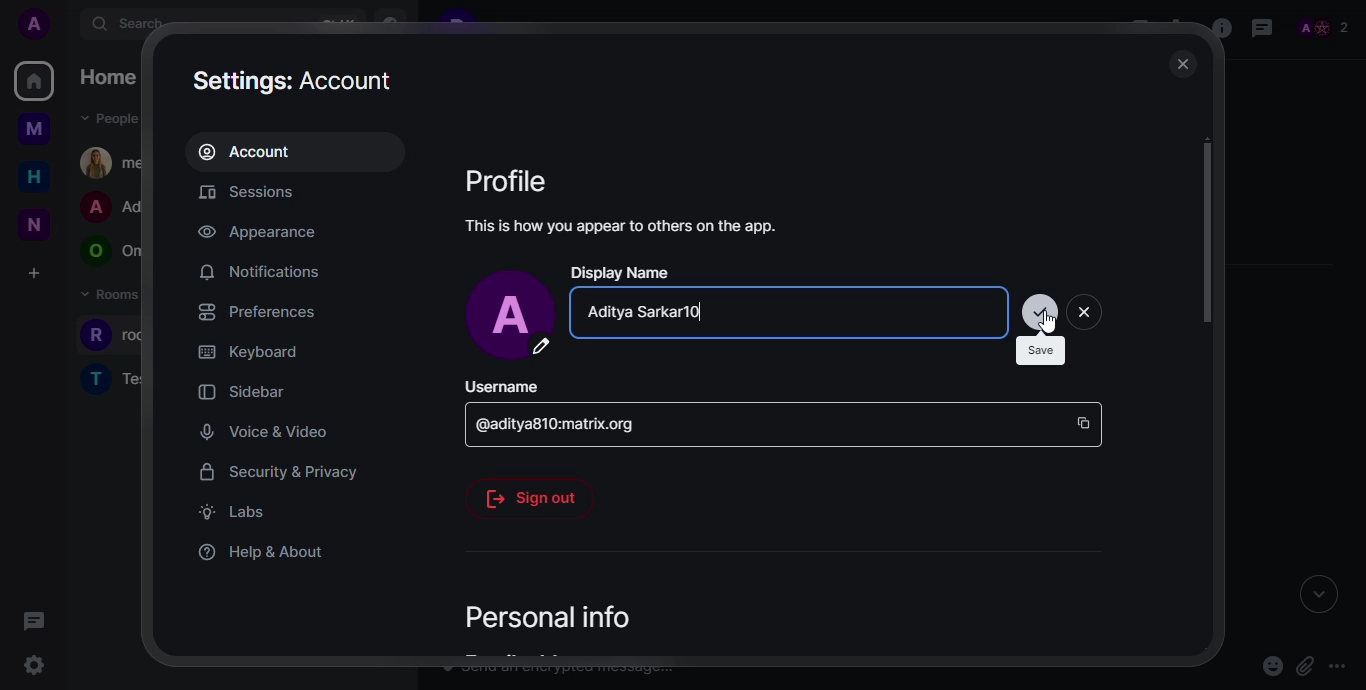 The image size is (1366, 690). Describe the element at coordinates (1043, 350) in the screenshot. I see `save` at that location.